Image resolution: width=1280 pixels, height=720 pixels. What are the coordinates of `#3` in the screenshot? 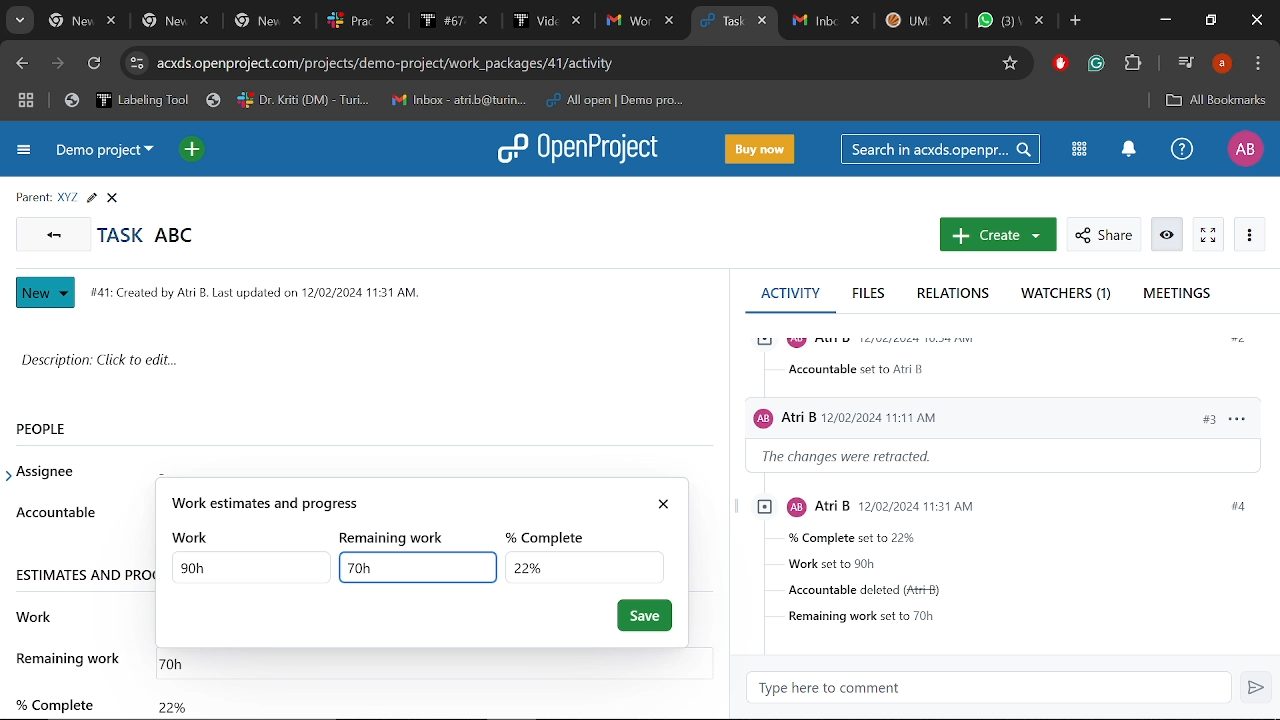 It's located at (1198, 418).